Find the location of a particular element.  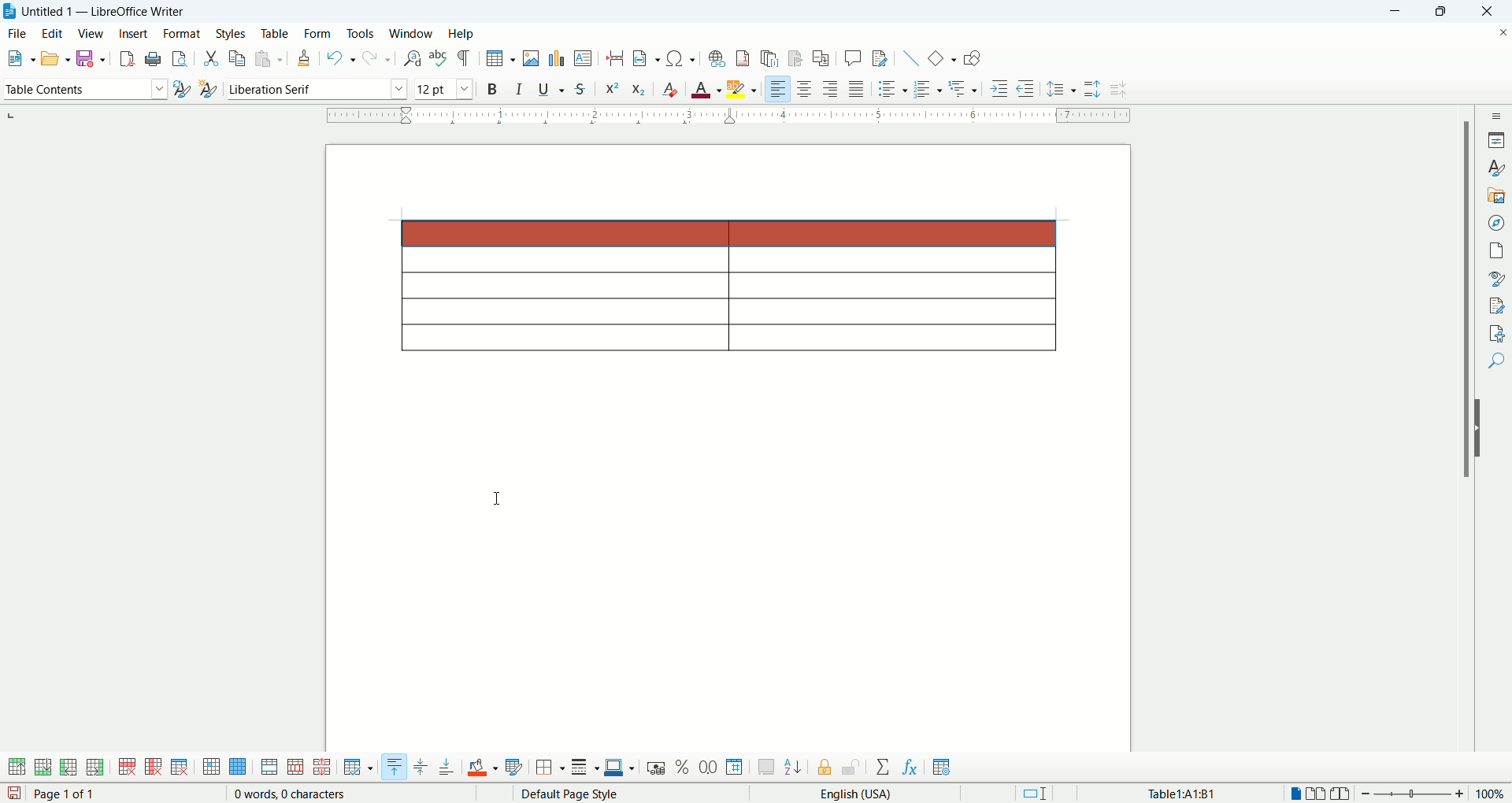

delete selected row is located at coordinates (128, 767).